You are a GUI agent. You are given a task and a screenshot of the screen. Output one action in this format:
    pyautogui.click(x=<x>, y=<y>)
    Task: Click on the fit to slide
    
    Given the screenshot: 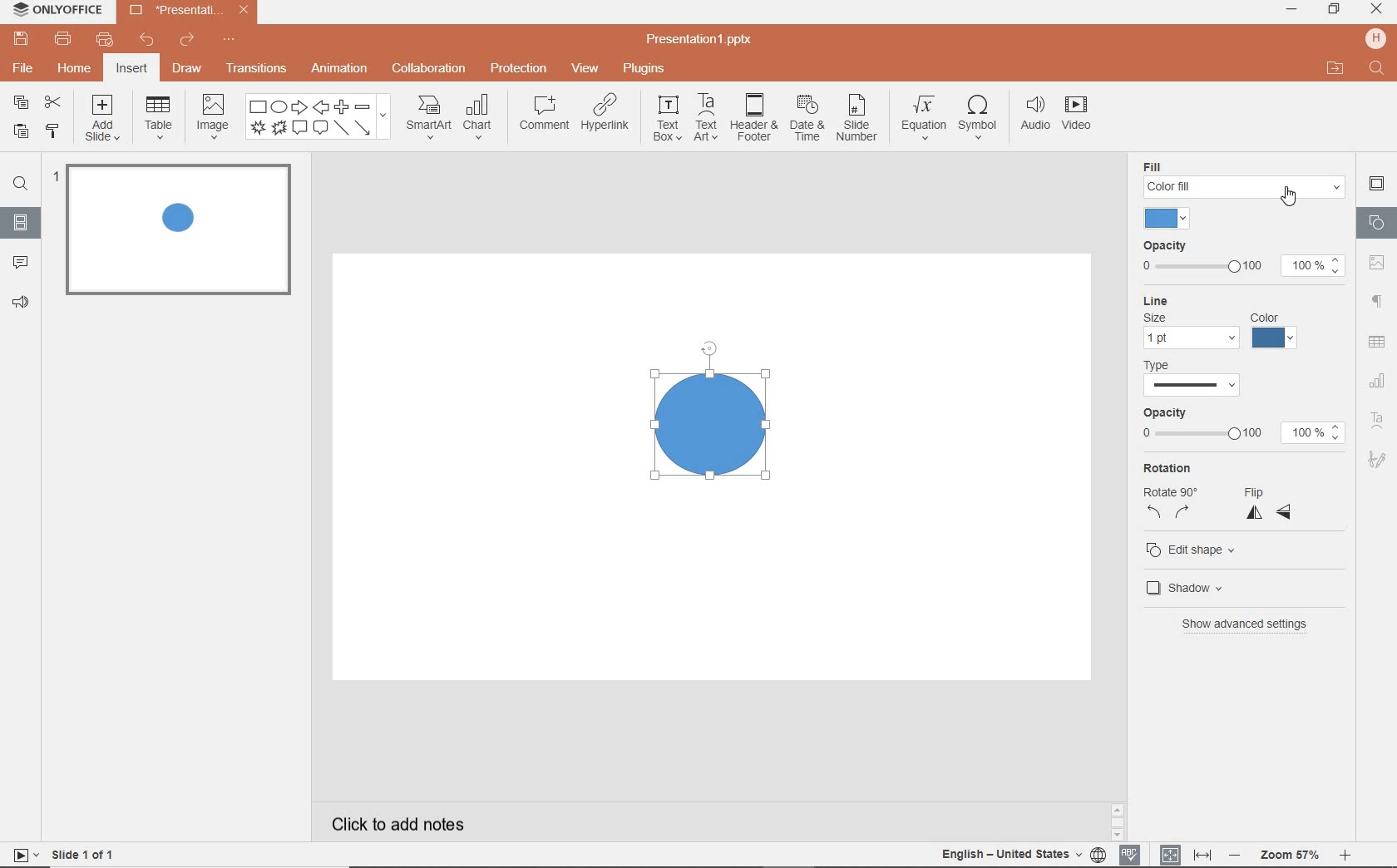 What is the action you would take?
    pyautogui.click(x=1171, y=854)
    